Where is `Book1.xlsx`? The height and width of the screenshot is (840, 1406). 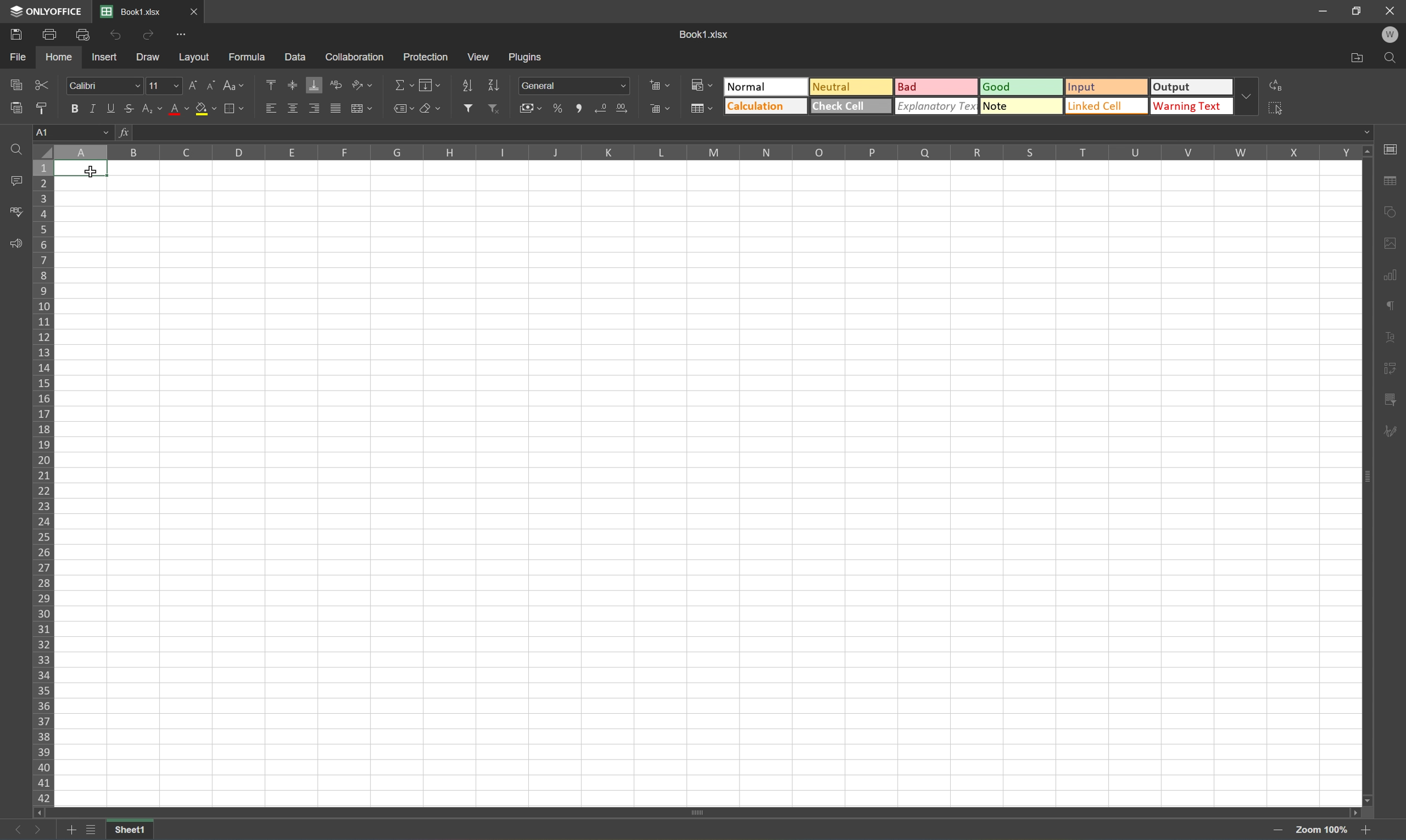
Book1.xlsx is located at coordinates (706, 33).